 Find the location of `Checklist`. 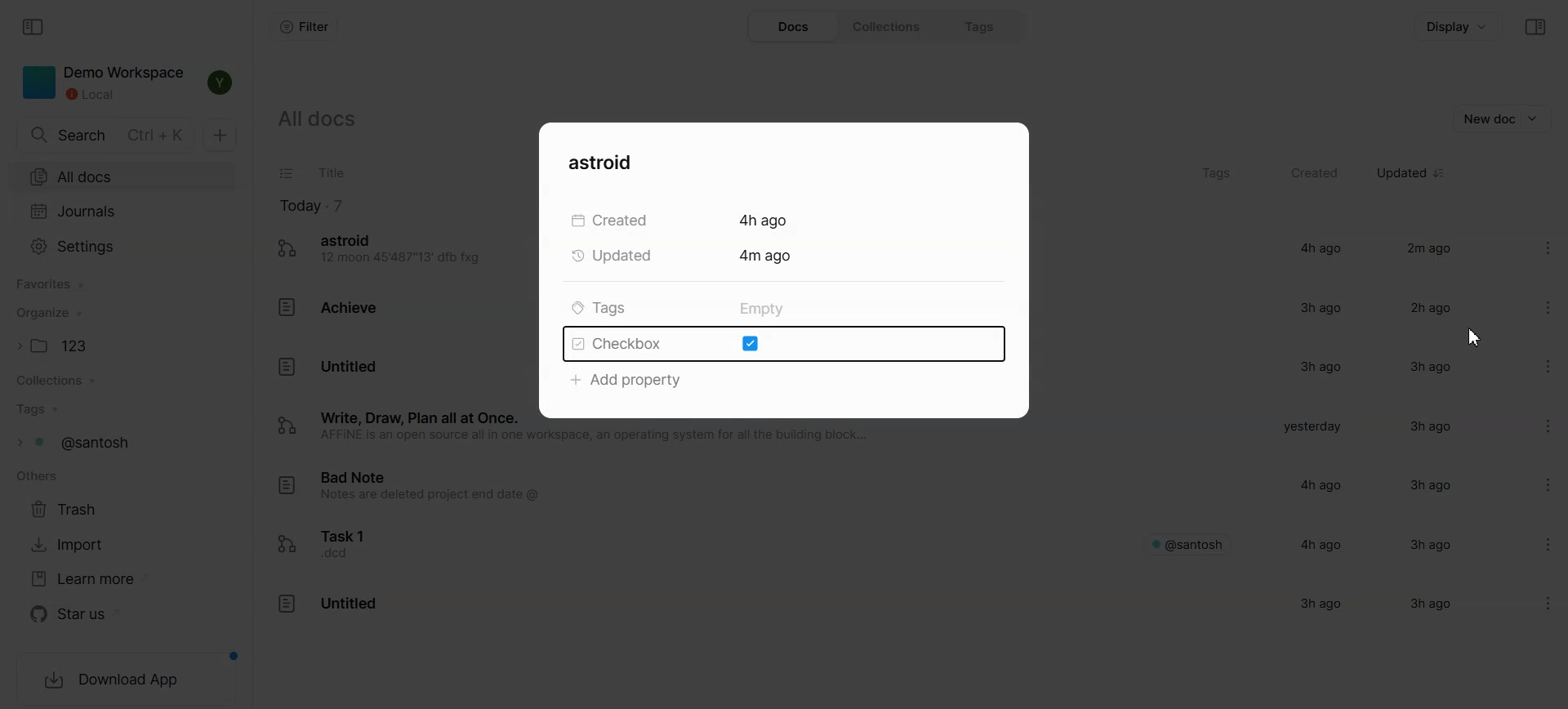

Checklist is located at coordinates (287, 174).